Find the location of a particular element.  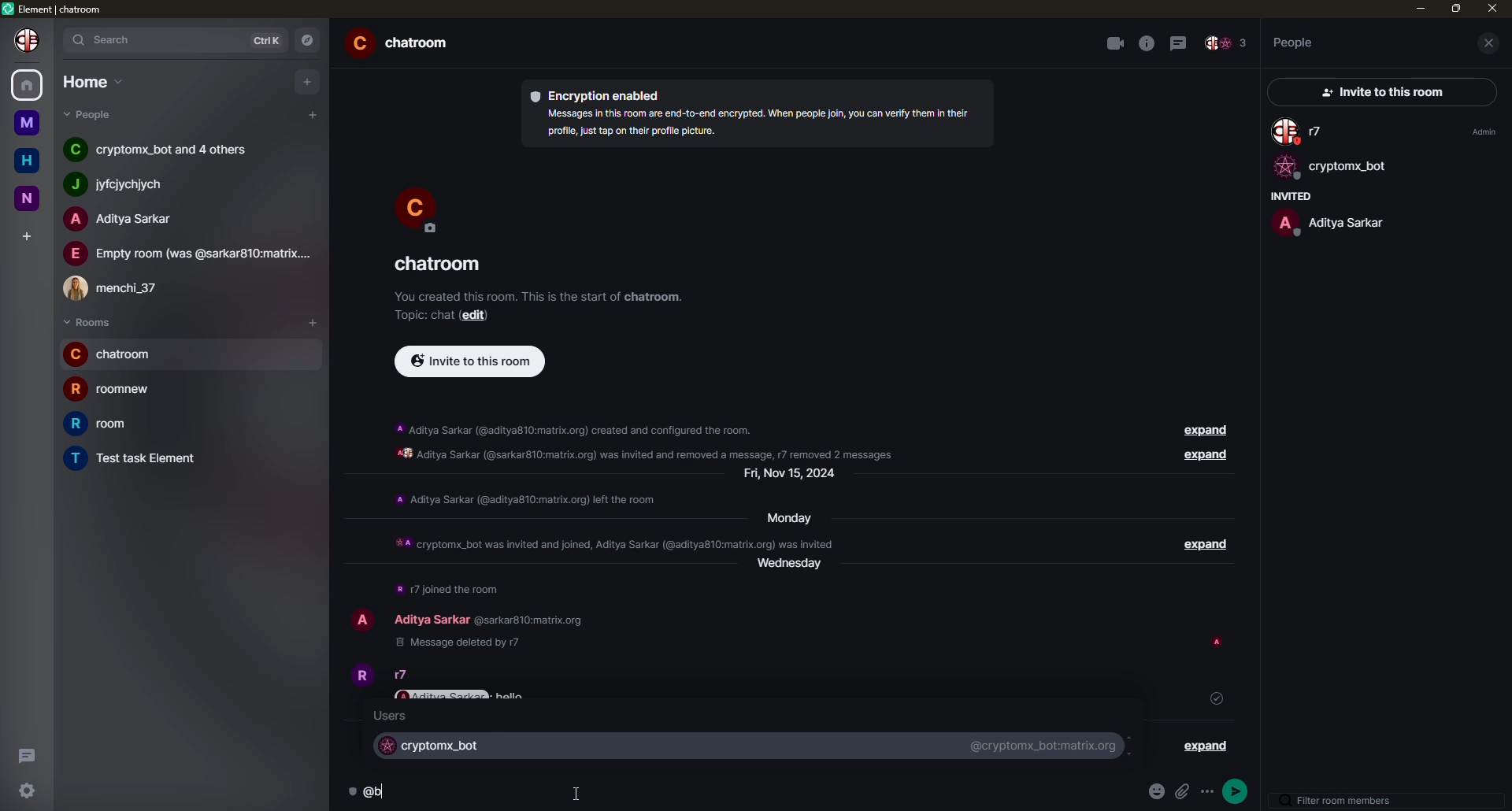

seen is located at coordinates (1220, 643).